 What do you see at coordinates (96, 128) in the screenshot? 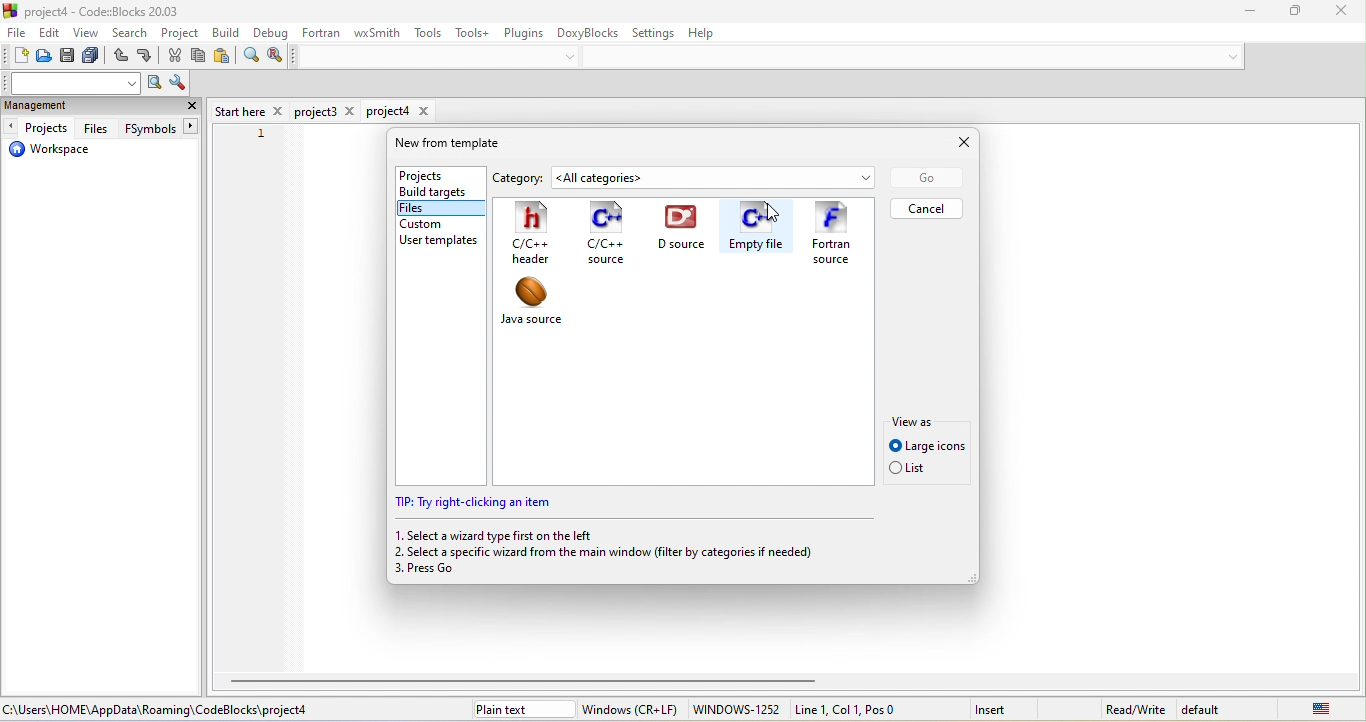
I see `files` at bounding box center [96, 128].